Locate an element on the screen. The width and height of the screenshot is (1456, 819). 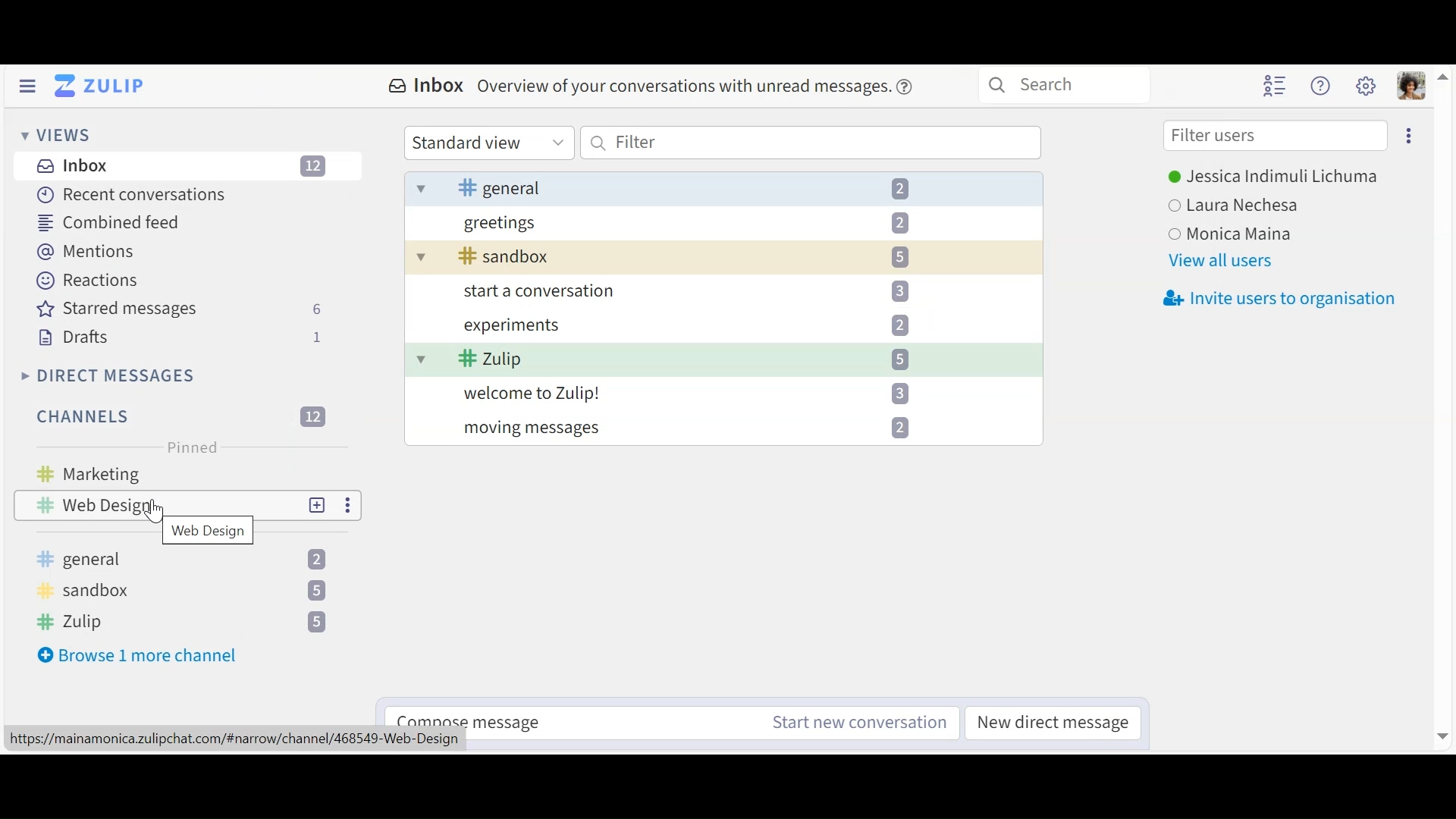
Cursor is located at coordinates (157, 513).